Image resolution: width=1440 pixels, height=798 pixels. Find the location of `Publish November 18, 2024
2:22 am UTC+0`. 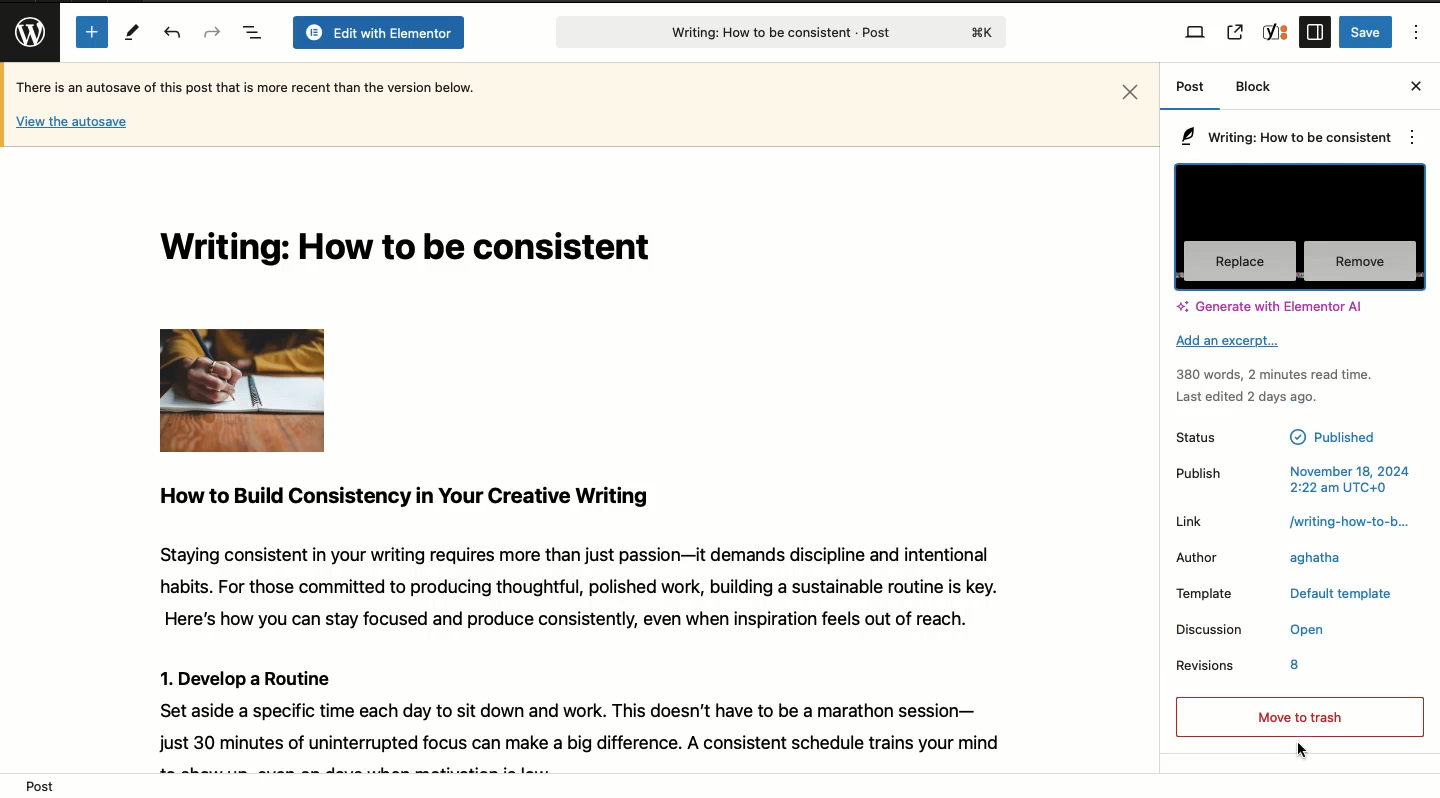

Publish November 18, 2024
2:22 am UTC+0 is located at coordinates (1293, 482).